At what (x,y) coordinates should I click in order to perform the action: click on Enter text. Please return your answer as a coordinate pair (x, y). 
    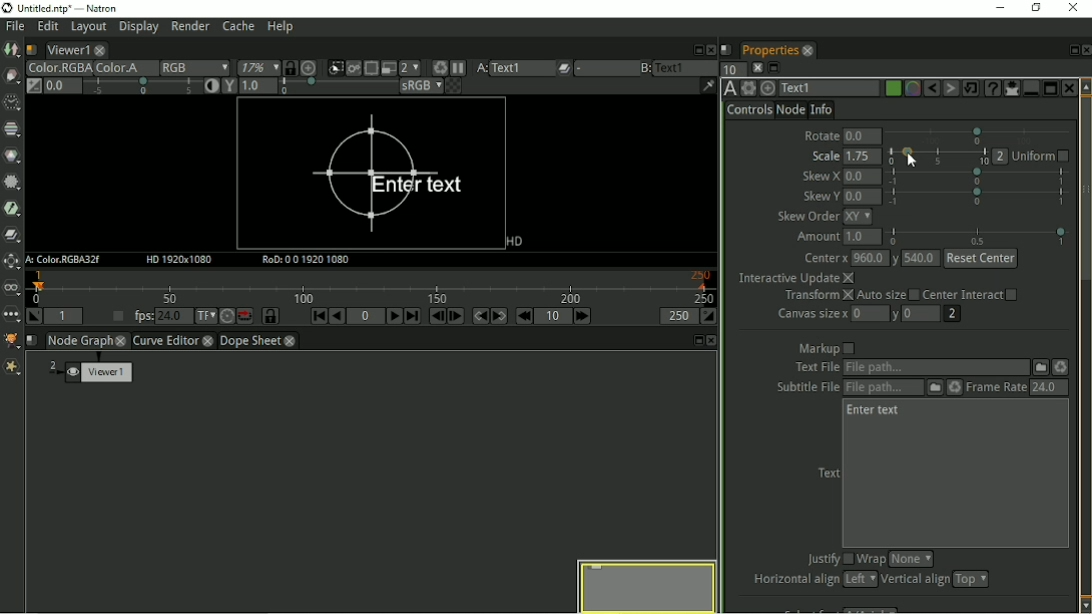
    Looking at the image, I should click on (876, 412).